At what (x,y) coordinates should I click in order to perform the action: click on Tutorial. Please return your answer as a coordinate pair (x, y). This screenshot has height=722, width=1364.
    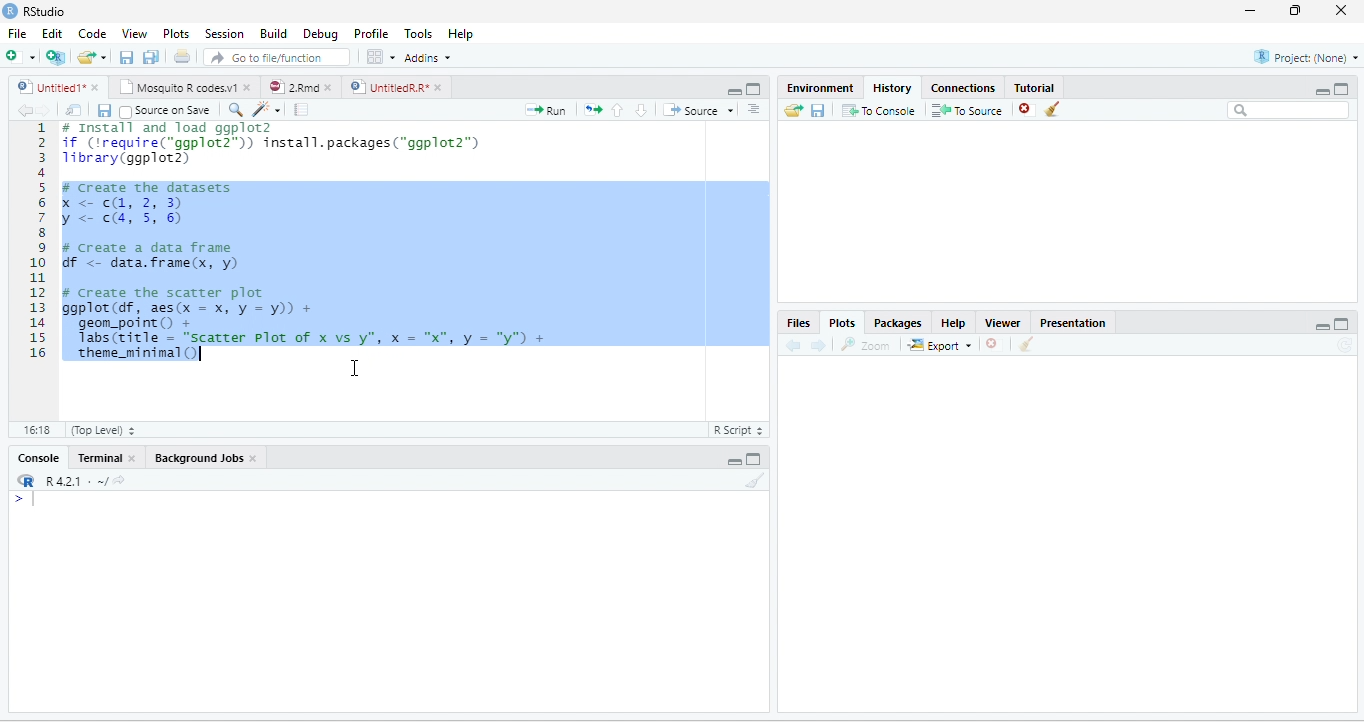
    Looking at the image, I should click on (1035, 86).